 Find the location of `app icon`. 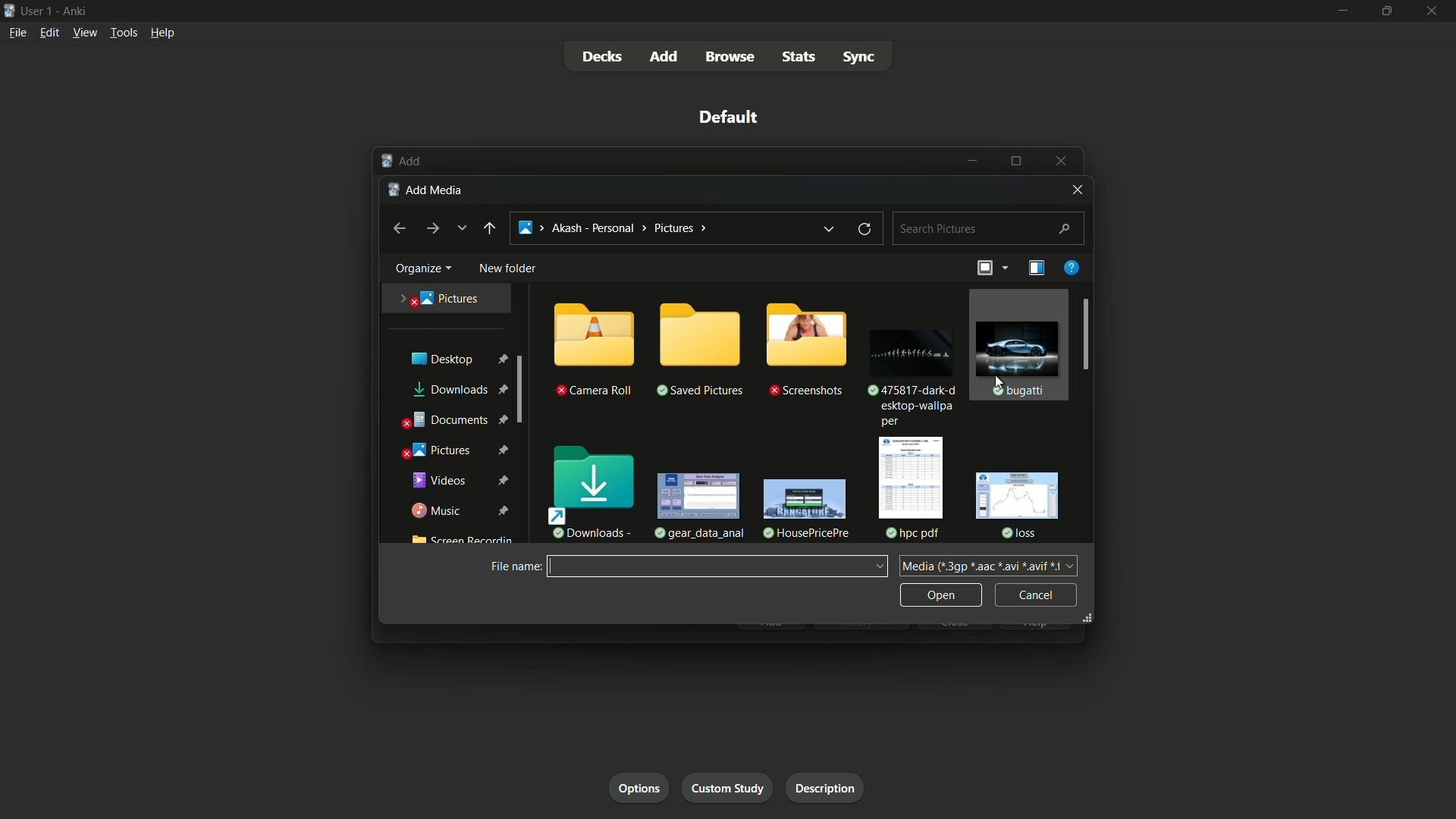

app icon is located at coordinates (9, 11).